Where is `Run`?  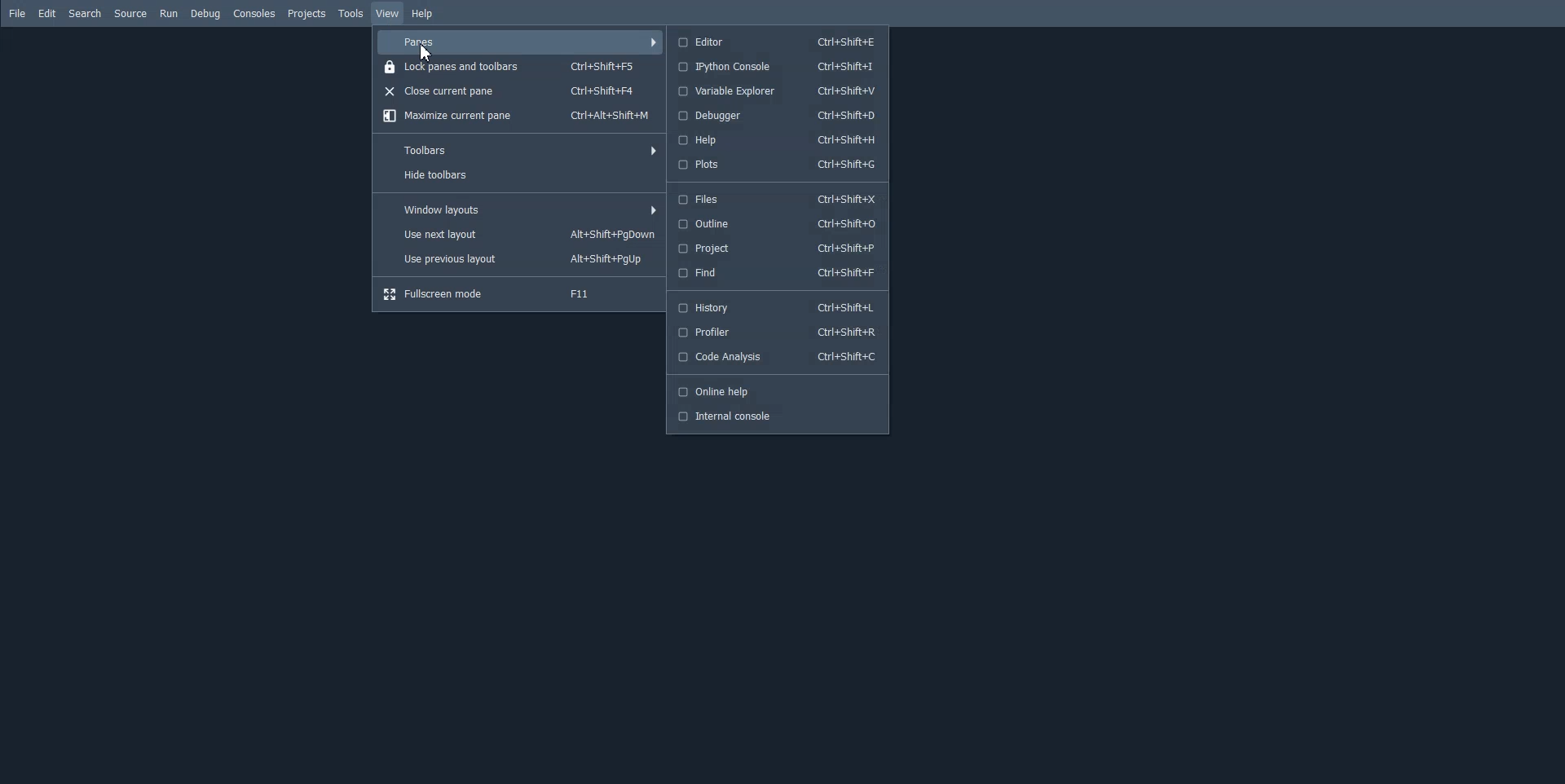 Run is located at coordinates (169, 14).